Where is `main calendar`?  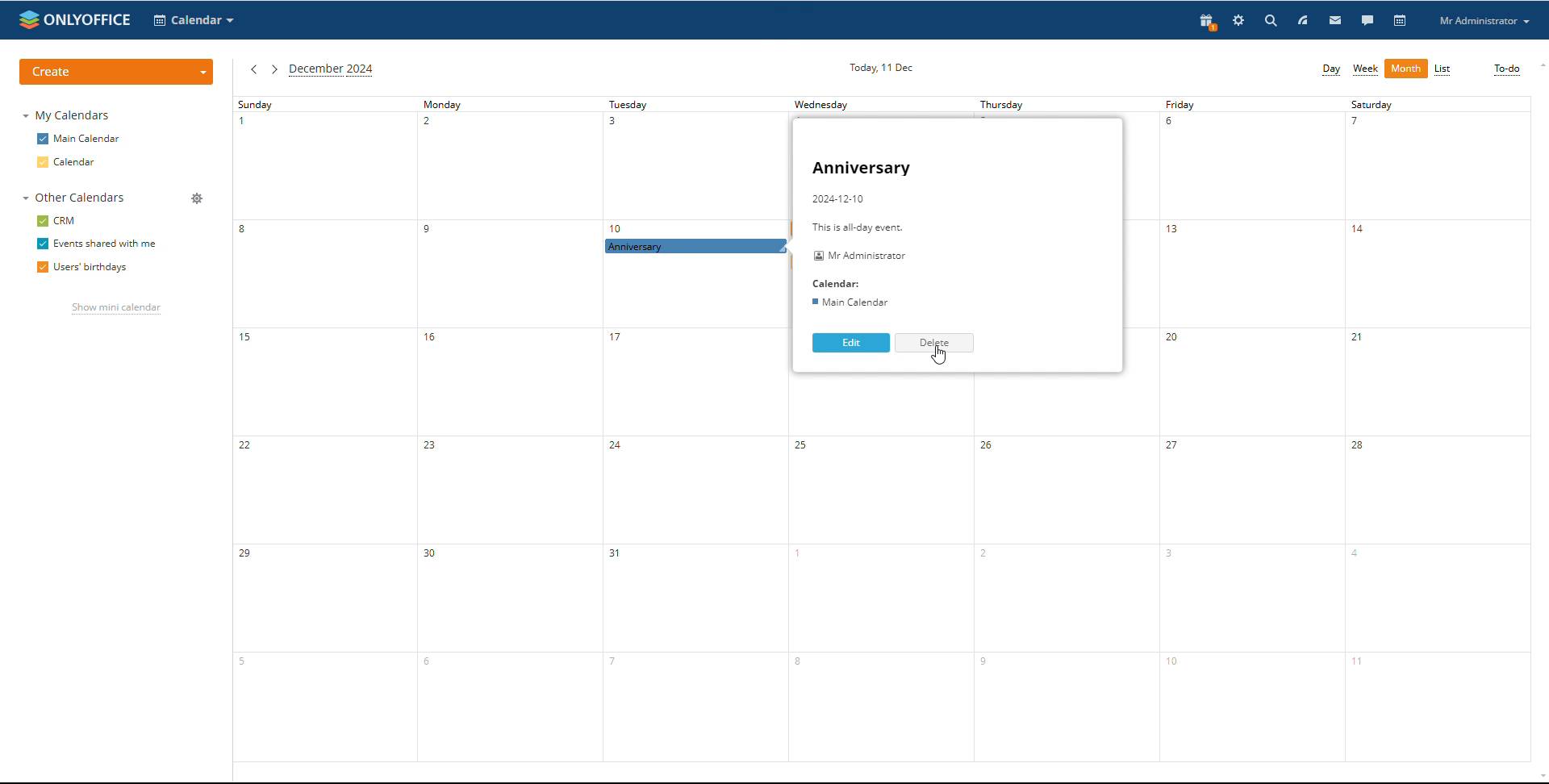
main calendar is located at coordinates (82, 137).